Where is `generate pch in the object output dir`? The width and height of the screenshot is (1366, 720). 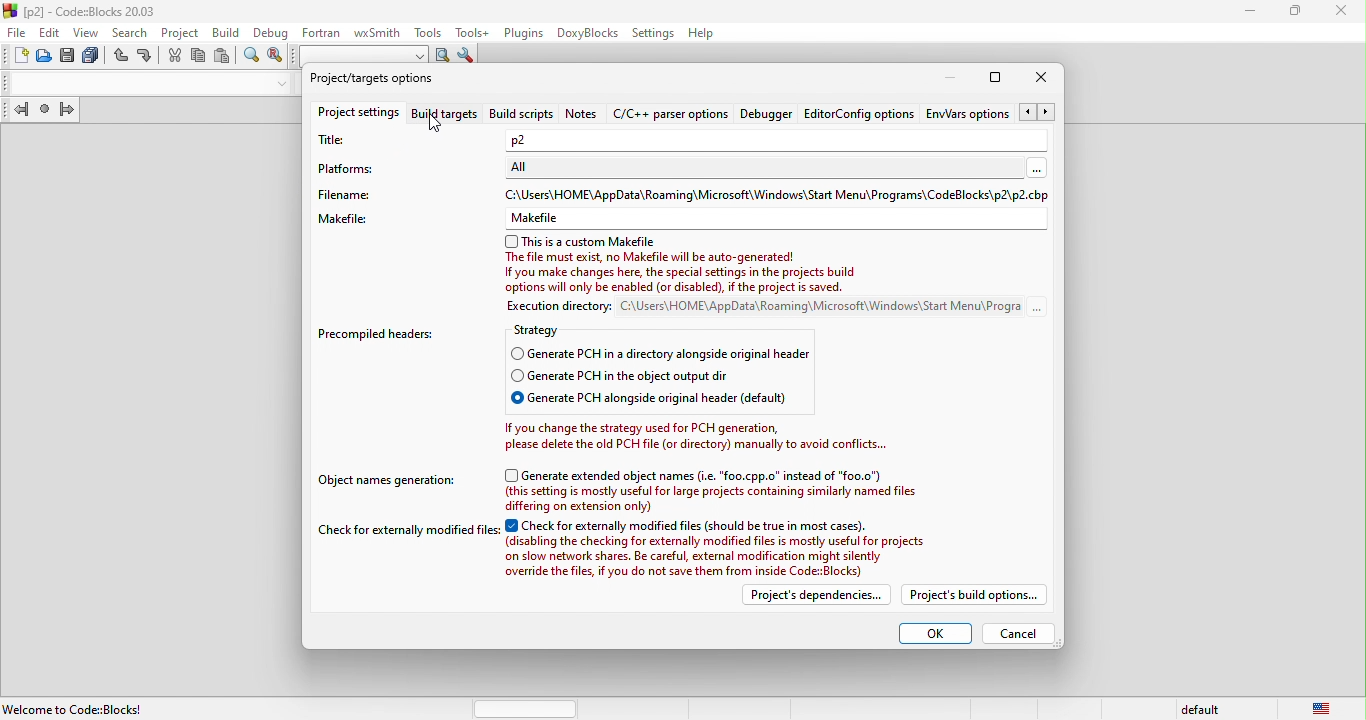
generate pch in the object output dir is located at coordinates (647, 378).